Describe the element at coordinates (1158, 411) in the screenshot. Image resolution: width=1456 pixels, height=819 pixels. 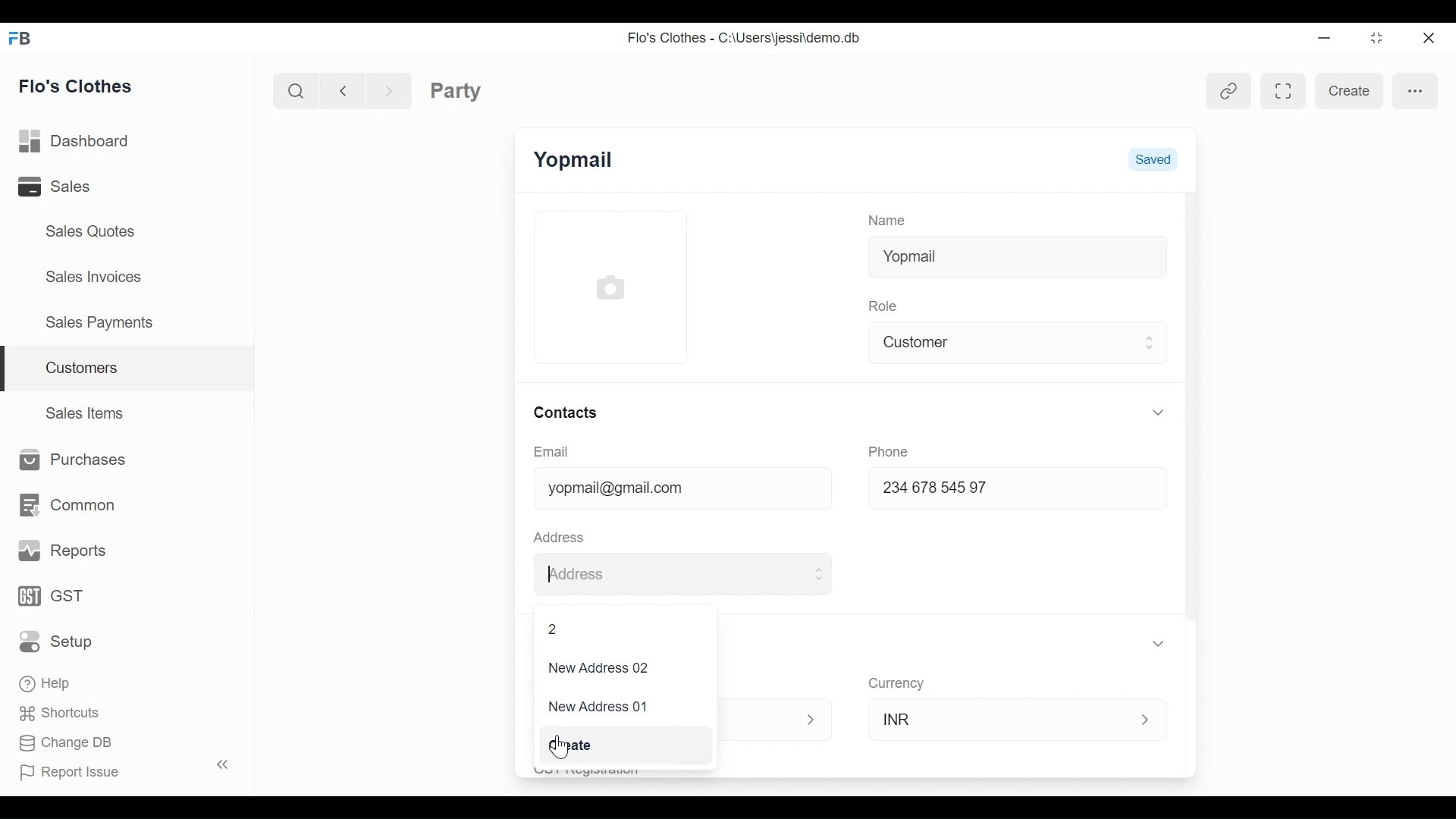
I see `Expand` at that location.